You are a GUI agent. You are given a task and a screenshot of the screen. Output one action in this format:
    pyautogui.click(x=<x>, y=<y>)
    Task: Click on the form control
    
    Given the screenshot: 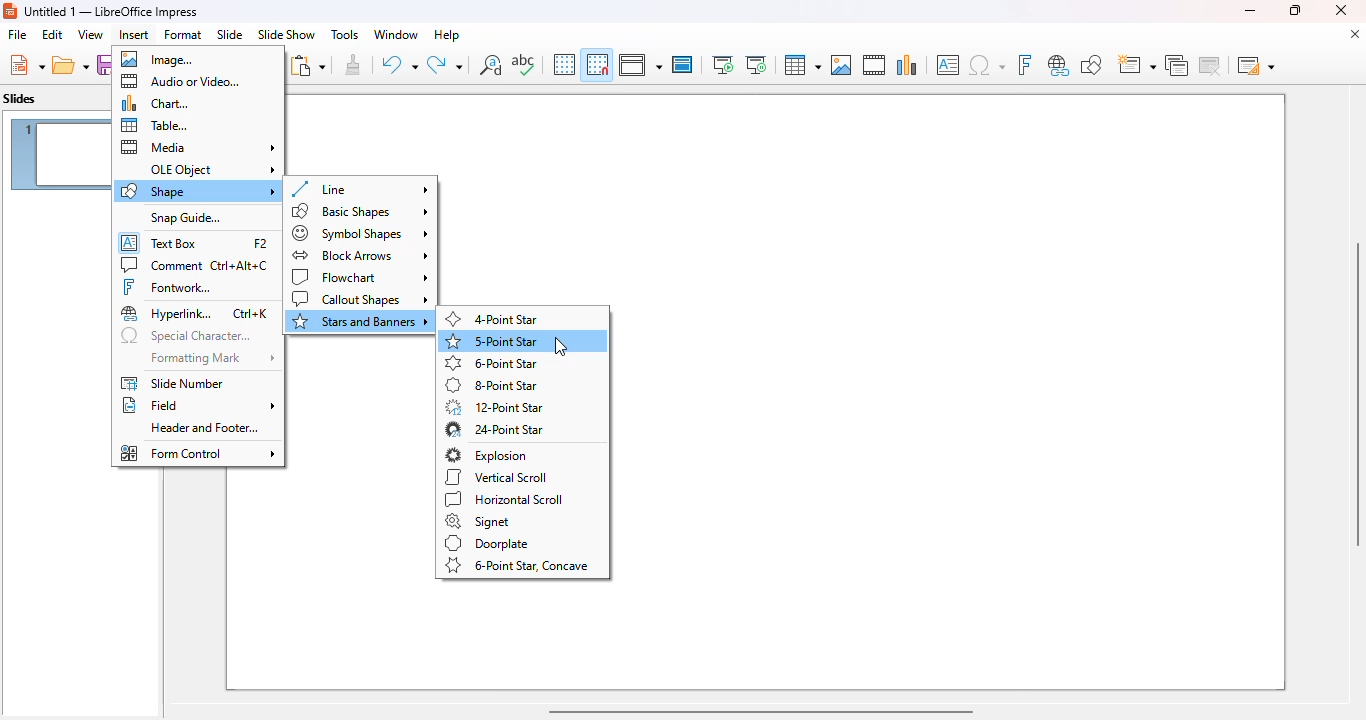 What is the action you would take?
    pyautogui.click(x=198, y=453)
    